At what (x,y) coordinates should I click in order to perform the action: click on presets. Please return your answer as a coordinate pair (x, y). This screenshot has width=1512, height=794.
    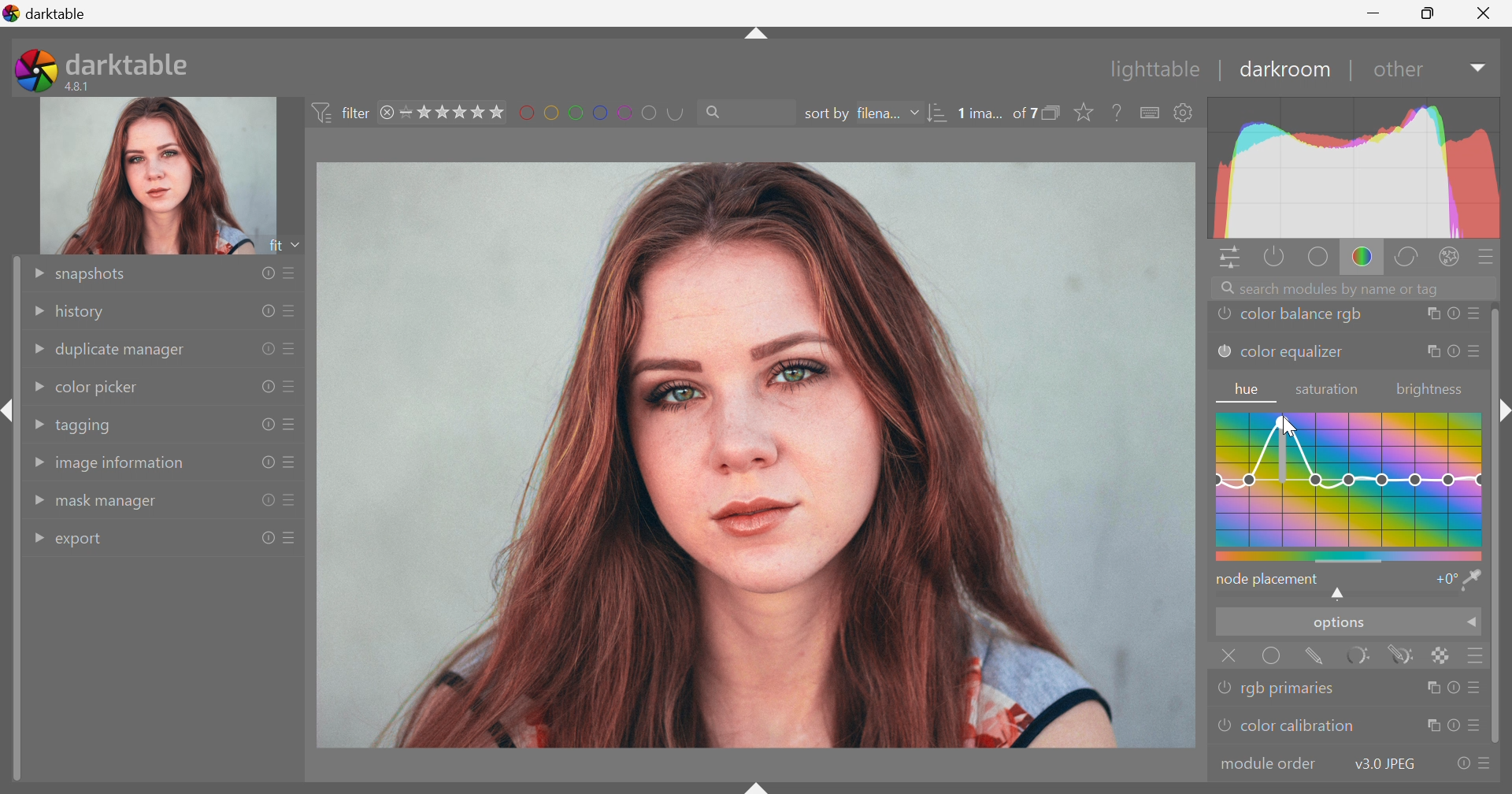
    Looking at the image, I should click on (1473, 352).